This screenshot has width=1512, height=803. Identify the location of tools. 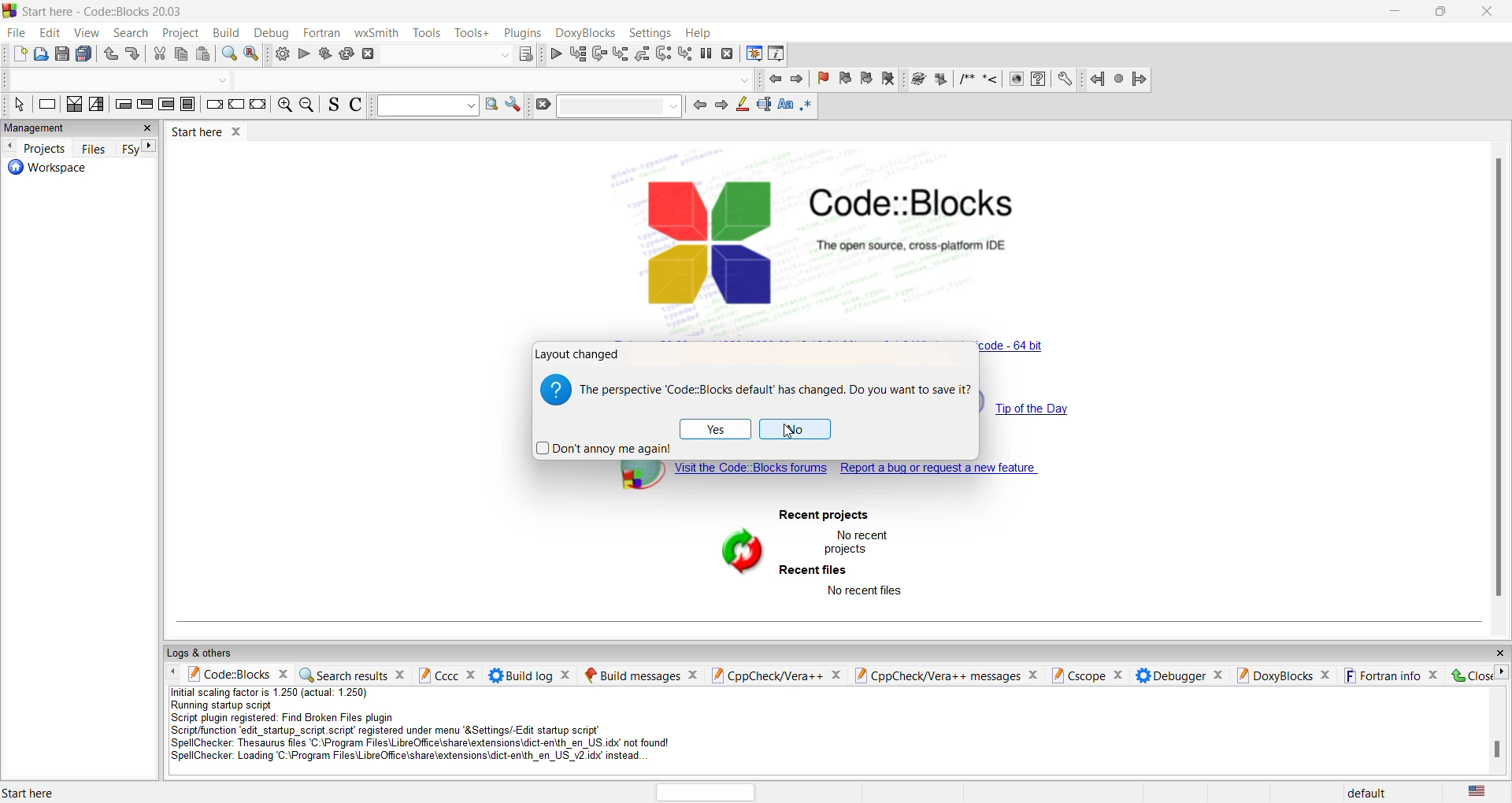
(428, 33).